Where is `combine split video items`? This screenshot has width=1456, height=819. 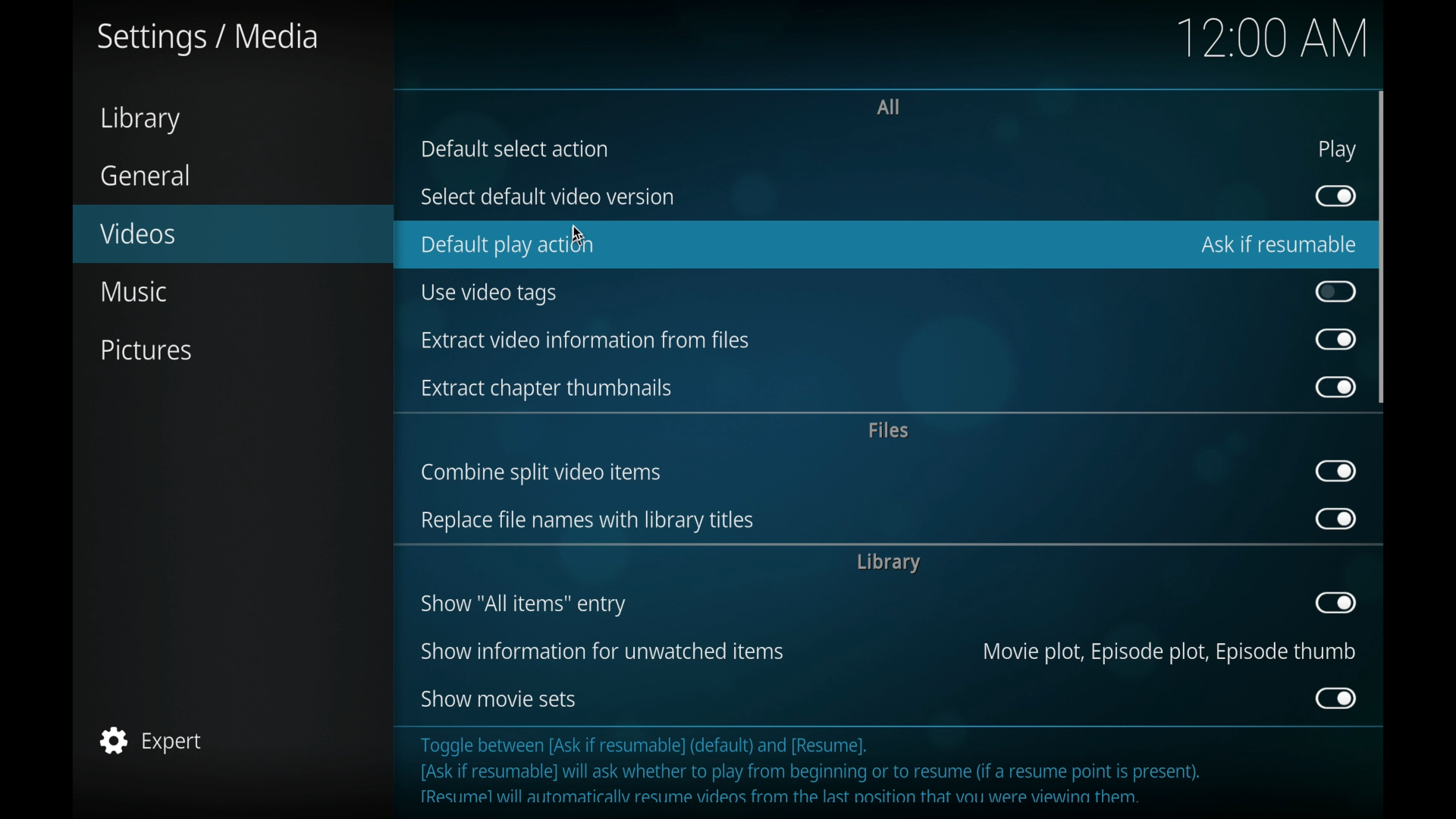
combine split video items is located at coordinates (541, 473).